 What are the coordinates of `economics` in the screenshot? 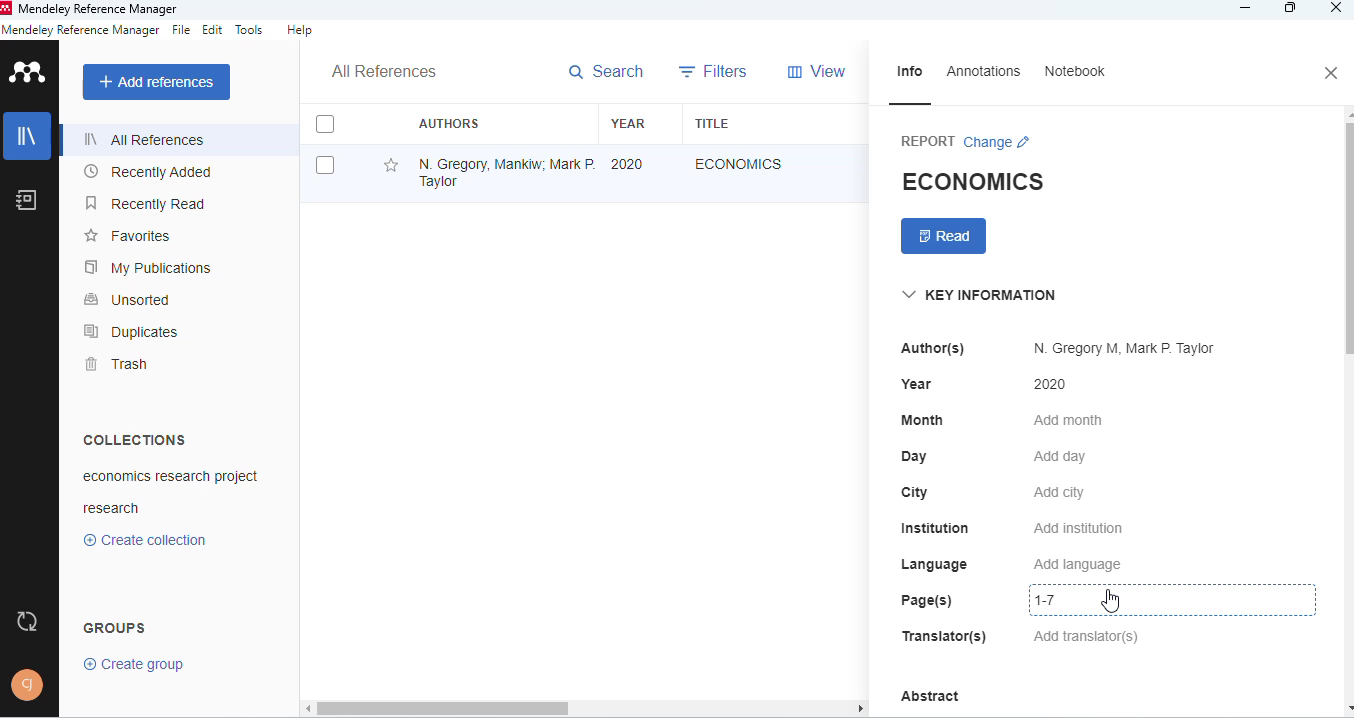 It's located at (739, 164).